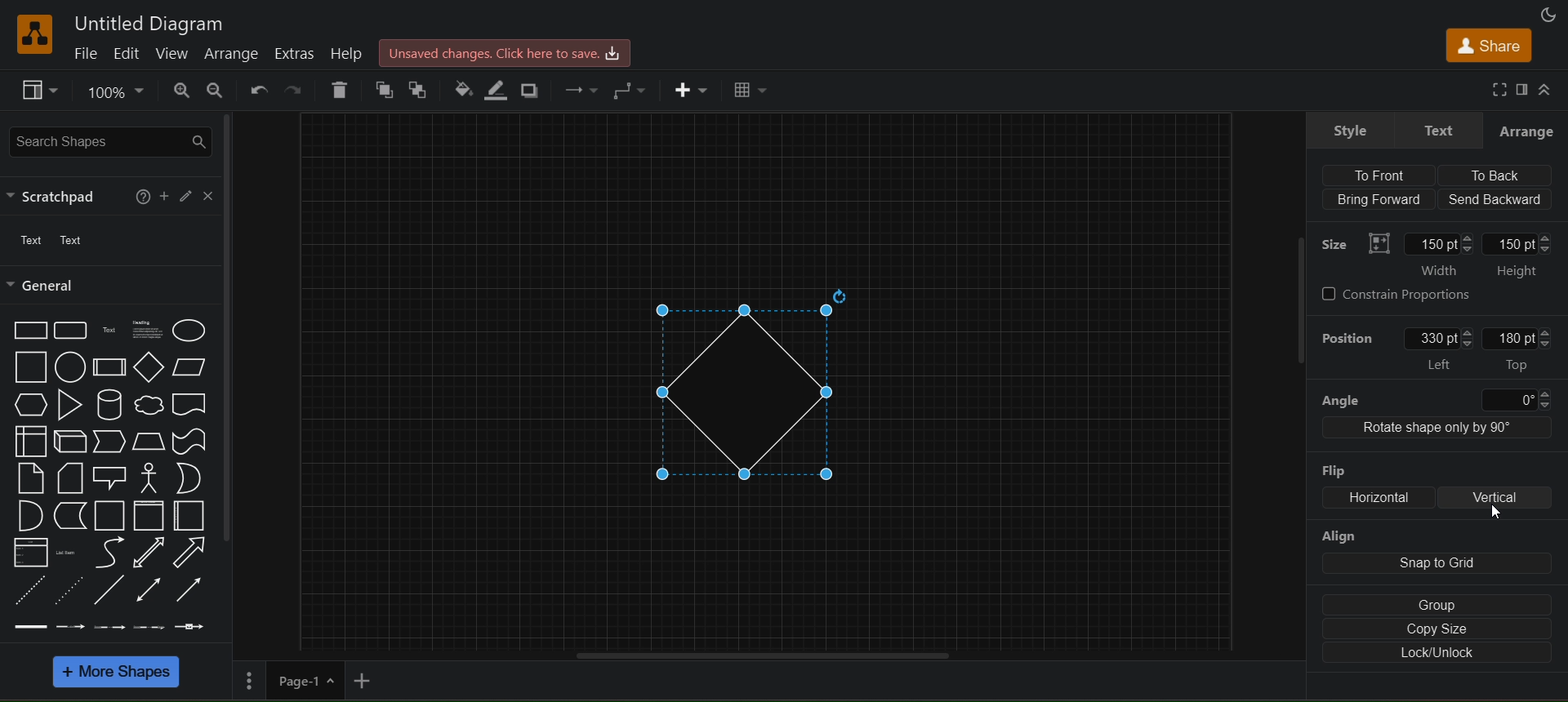  I want to click on internal storage, so click(29, 441).